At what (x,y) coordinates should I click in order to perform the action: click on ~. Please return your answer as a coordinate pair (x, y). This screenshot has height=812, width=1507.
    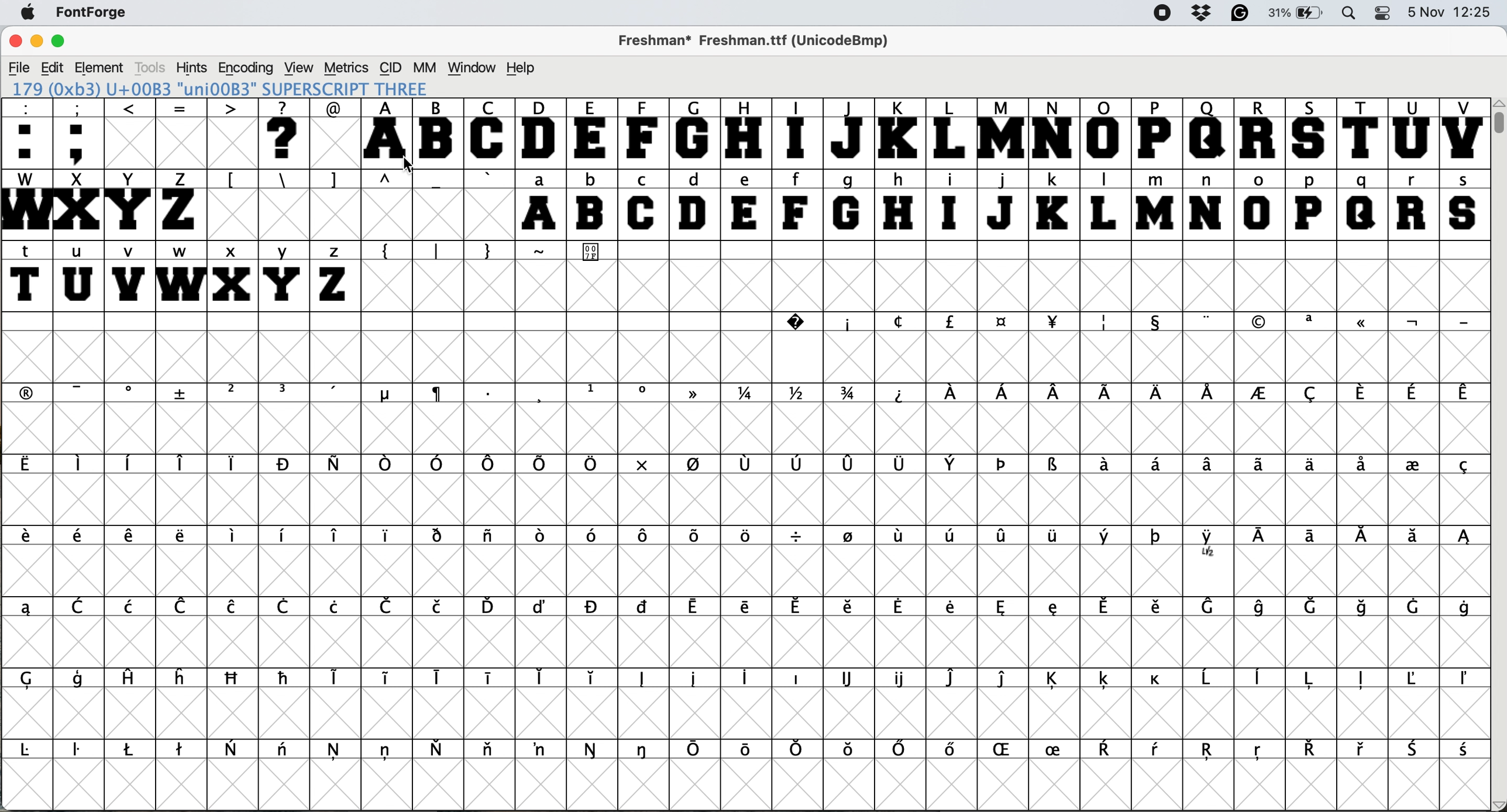
    Looking at the image, I should click on (542, 250).